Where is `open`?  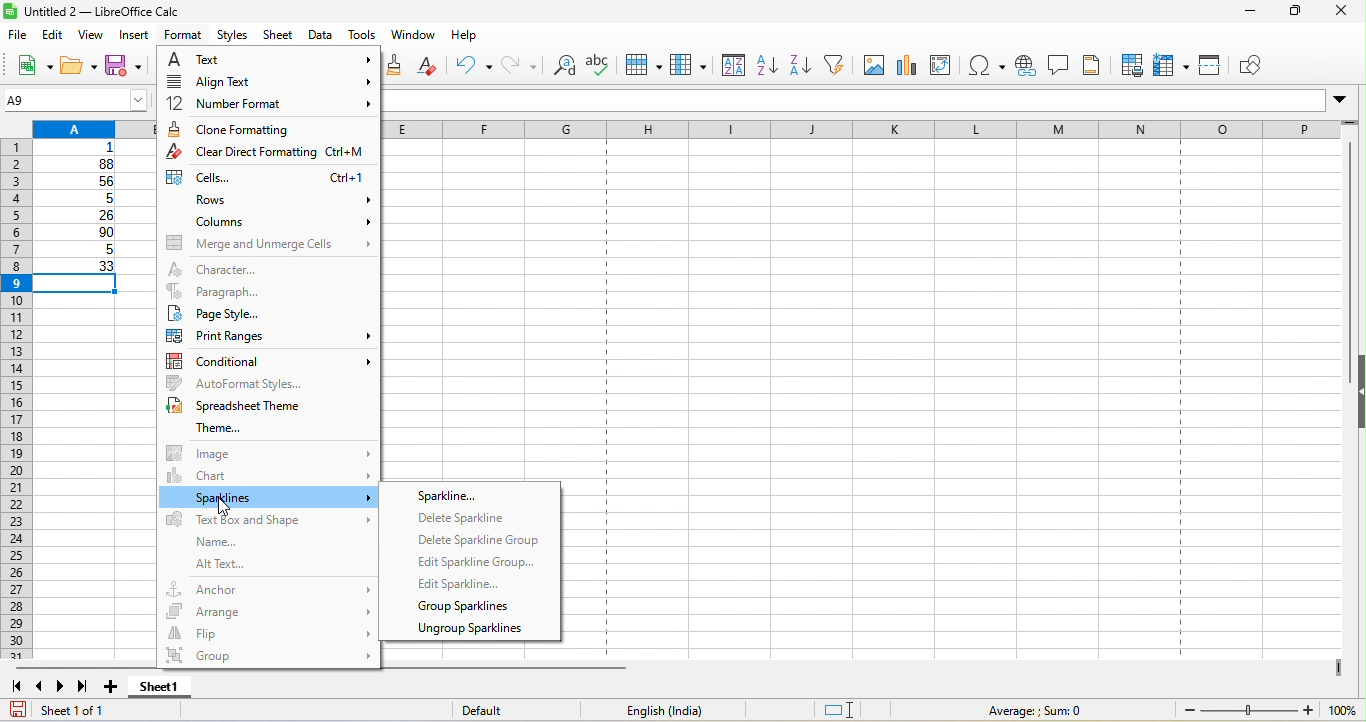
open is located at coordinates (80, 67).